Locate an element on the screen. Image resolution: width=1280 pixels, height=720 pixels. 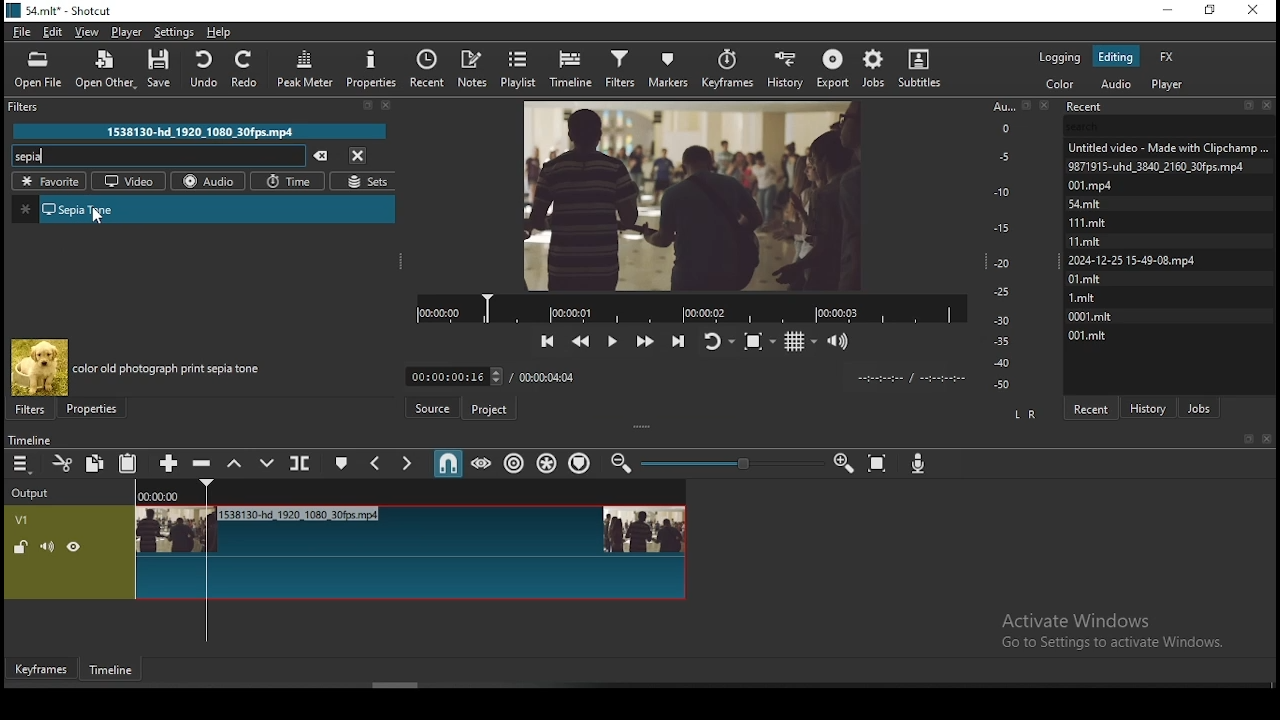
filters is located at coordinates (30, 411).